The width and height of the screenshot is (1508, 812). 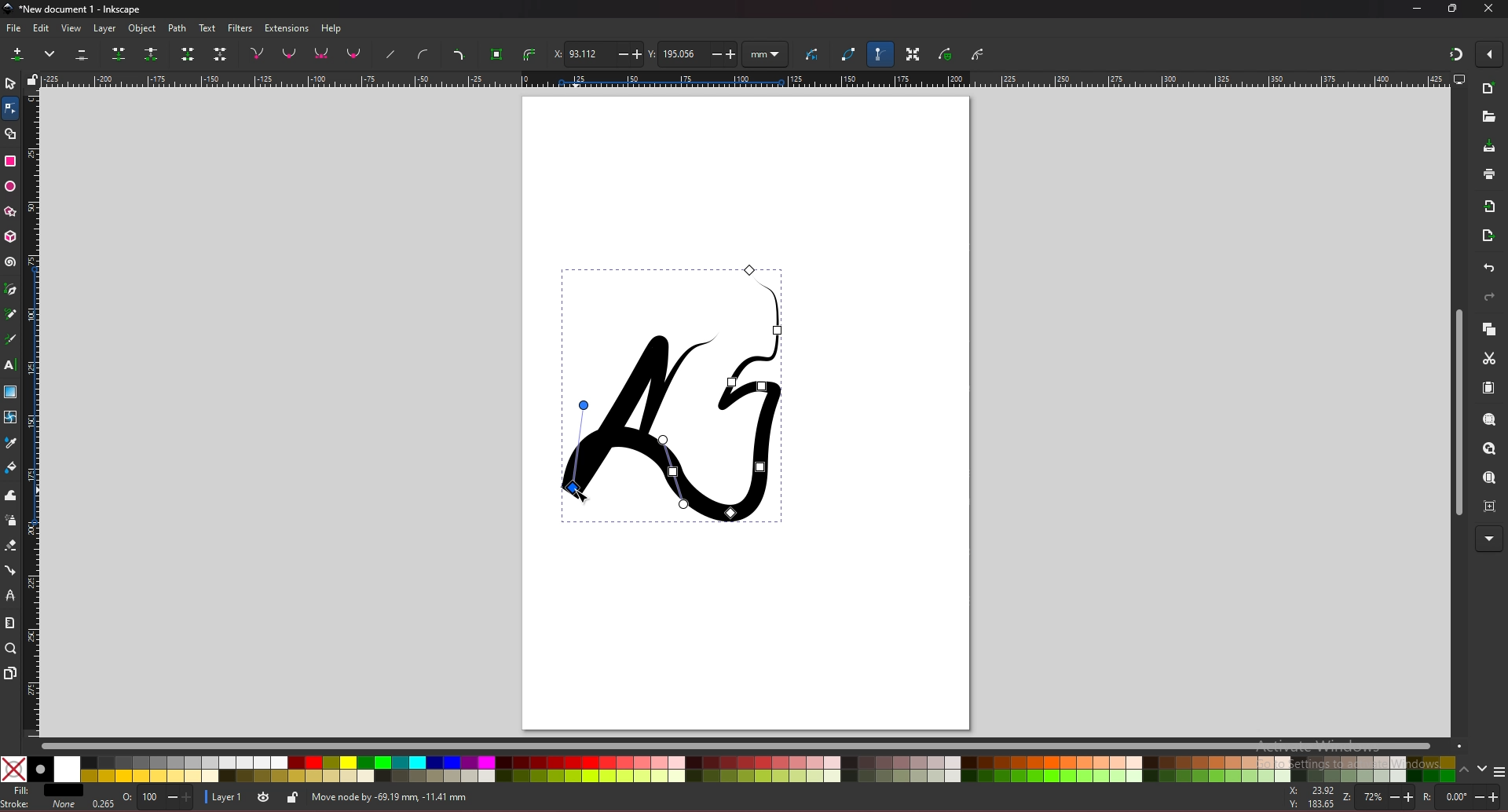 What do you see at coordinates (596, 53) in the screenshot?
I see `x coordinate` at bounding box center [596, 53].